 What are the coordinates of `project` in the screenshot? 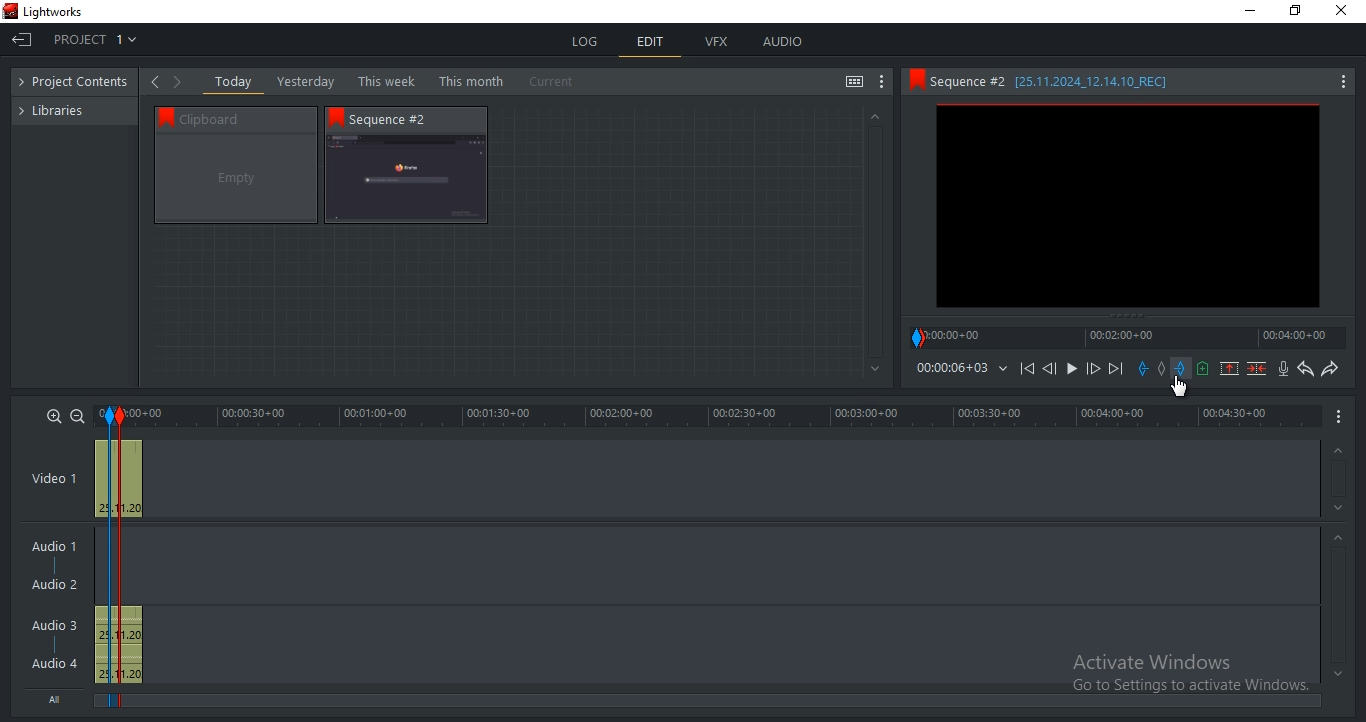 It's located at (79, 83).